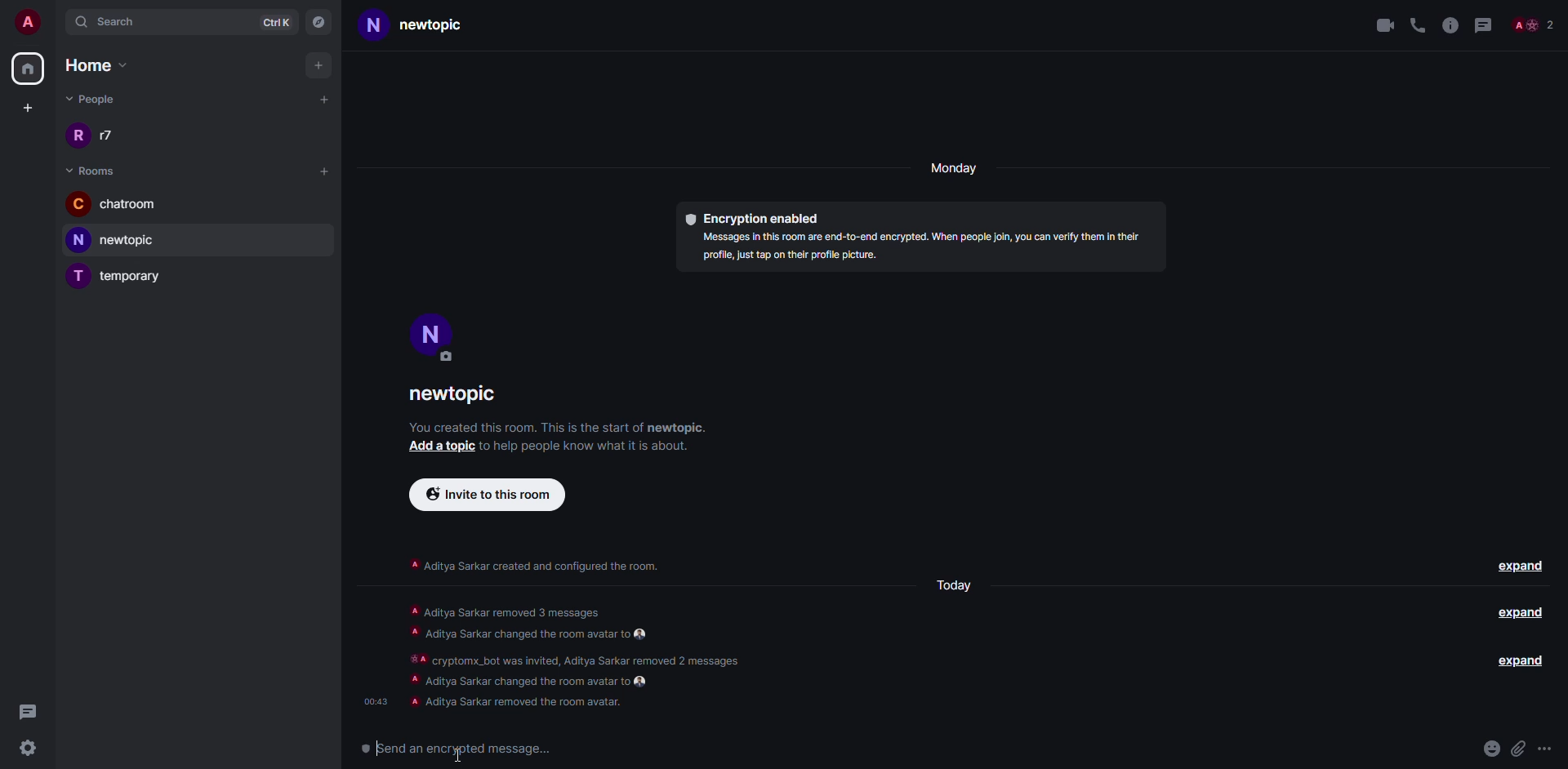 Image resolution: width=1568 pixels, height=769 pixels. What do you see at coordinates (463, 395) in the screenshot?
I see `newtopic` at bounding box center [463, 395].